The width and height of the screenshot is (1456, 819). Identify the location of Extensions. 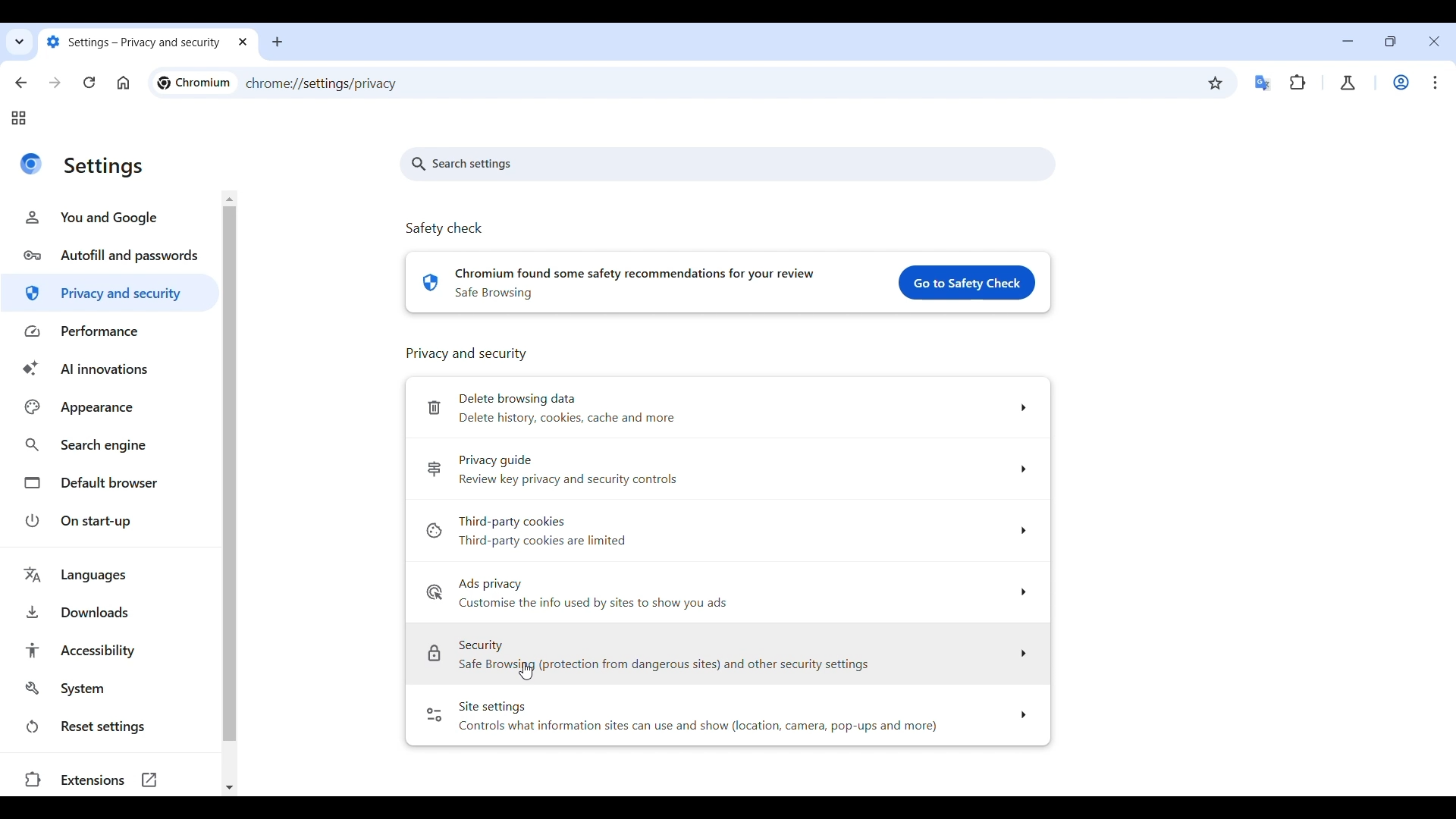
(111, 780).